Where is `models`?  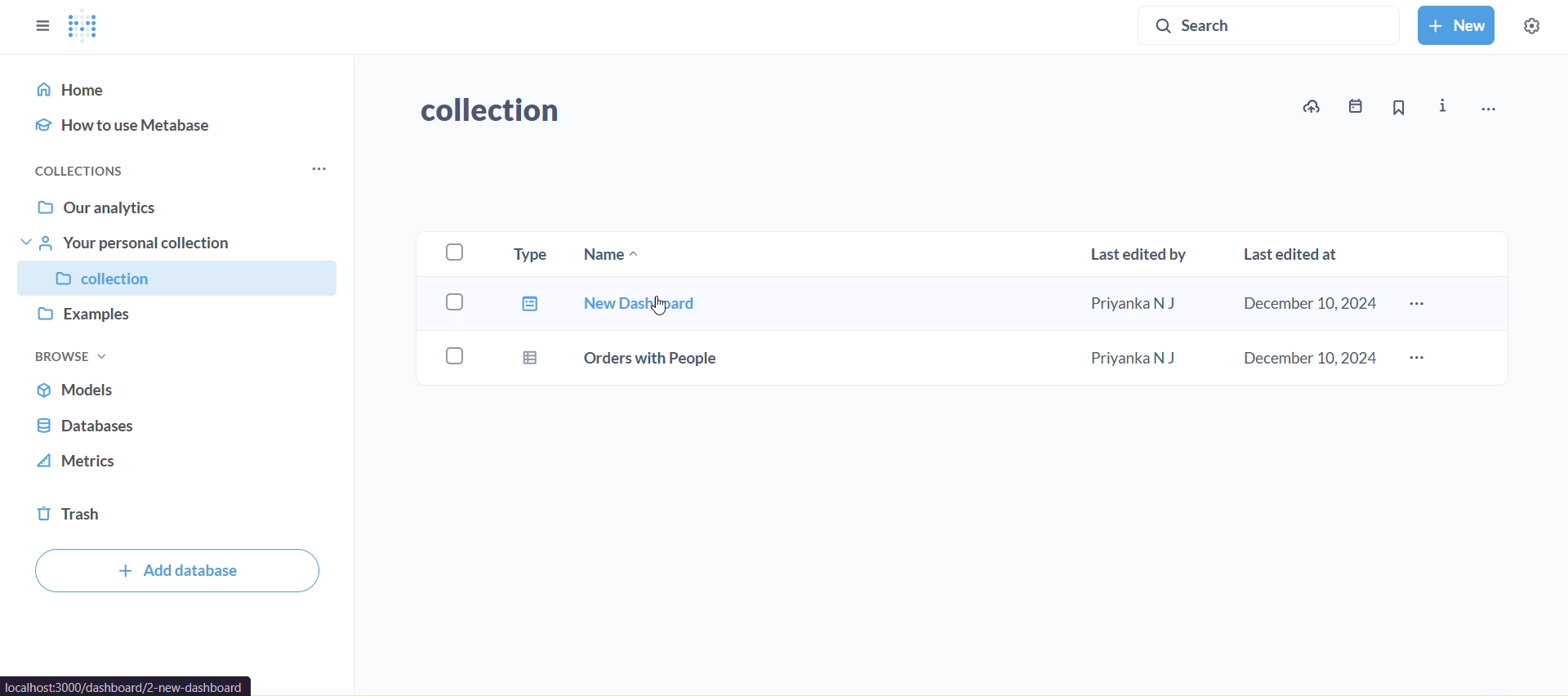
models is located at coordinates (182, 389).